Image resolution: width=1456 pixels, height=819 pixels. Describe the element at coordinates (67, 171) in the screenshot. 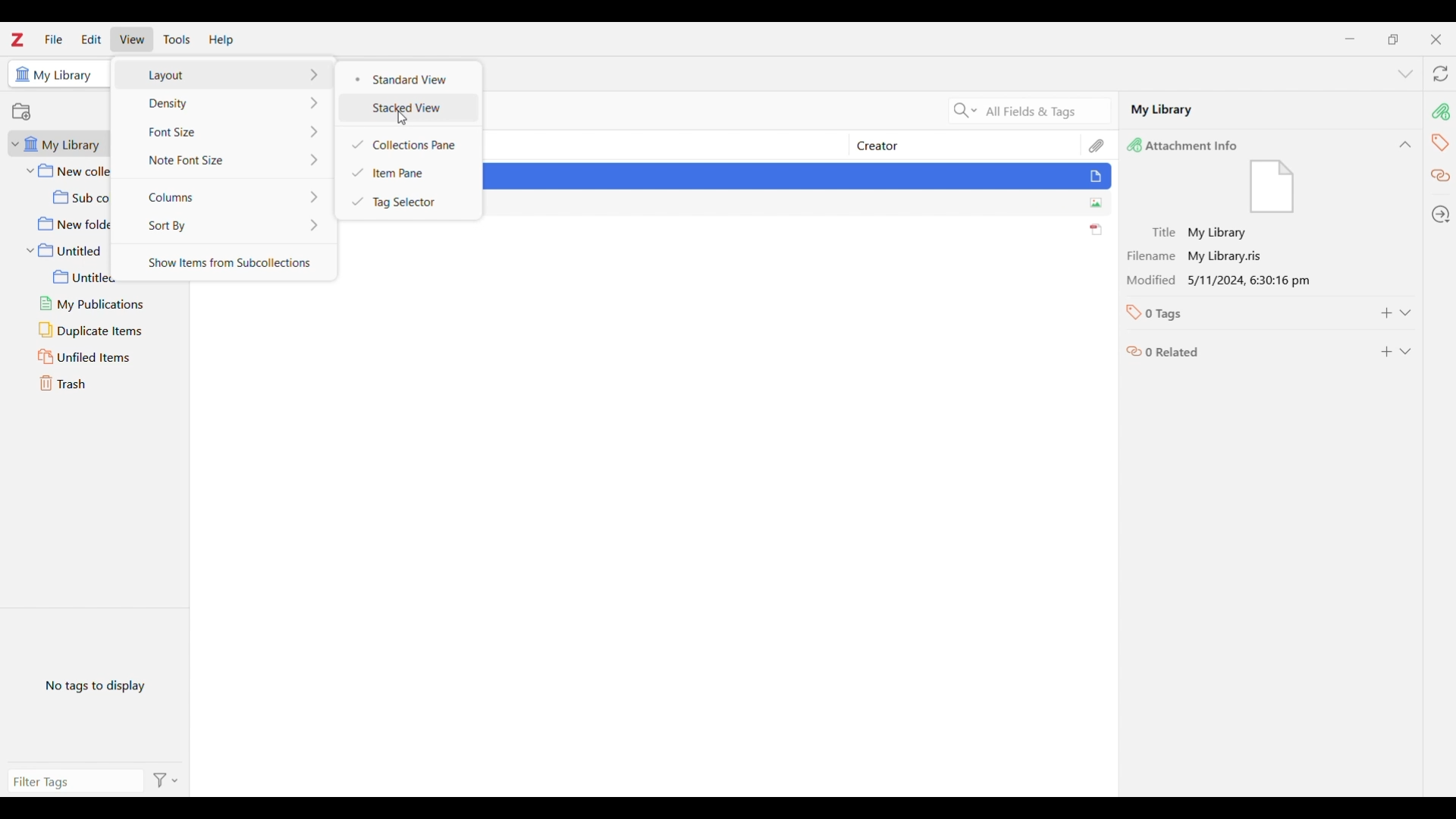

I see `New collection folder` at that location.